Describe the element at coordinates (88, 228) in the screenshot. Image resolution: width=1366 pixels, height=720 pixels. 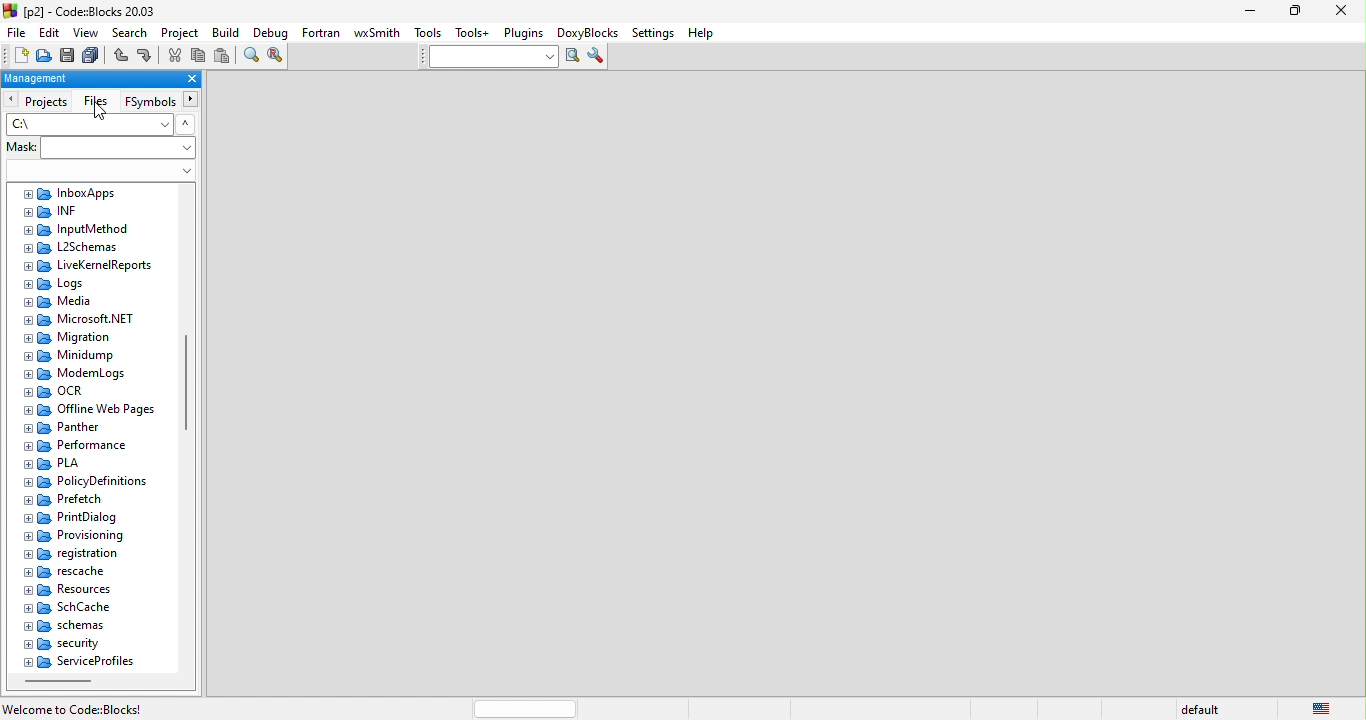
I see `input method` at that location.